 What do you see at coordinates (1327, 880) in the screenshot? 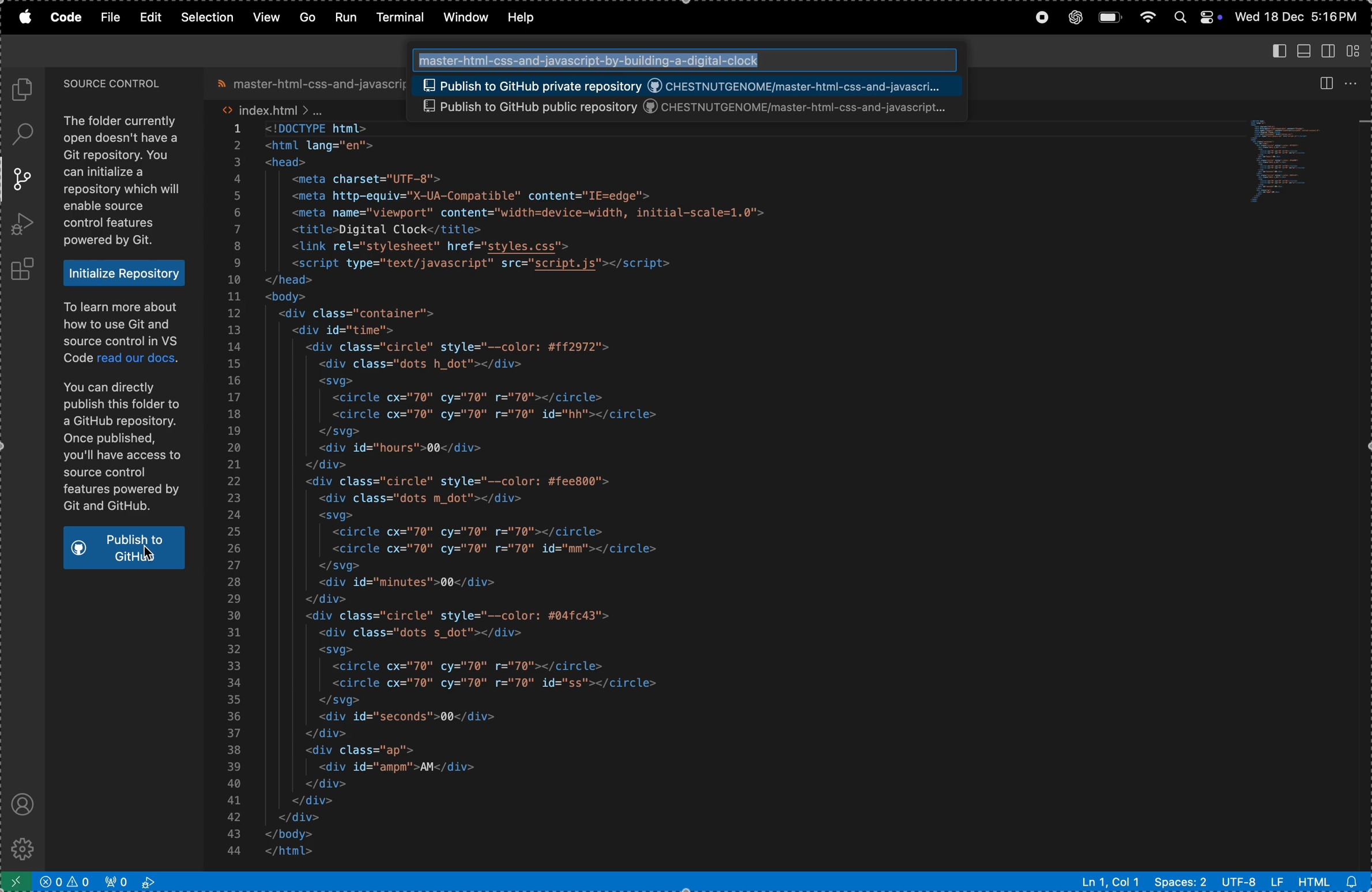
I see `html alert` at bounding box center [1327, 880].